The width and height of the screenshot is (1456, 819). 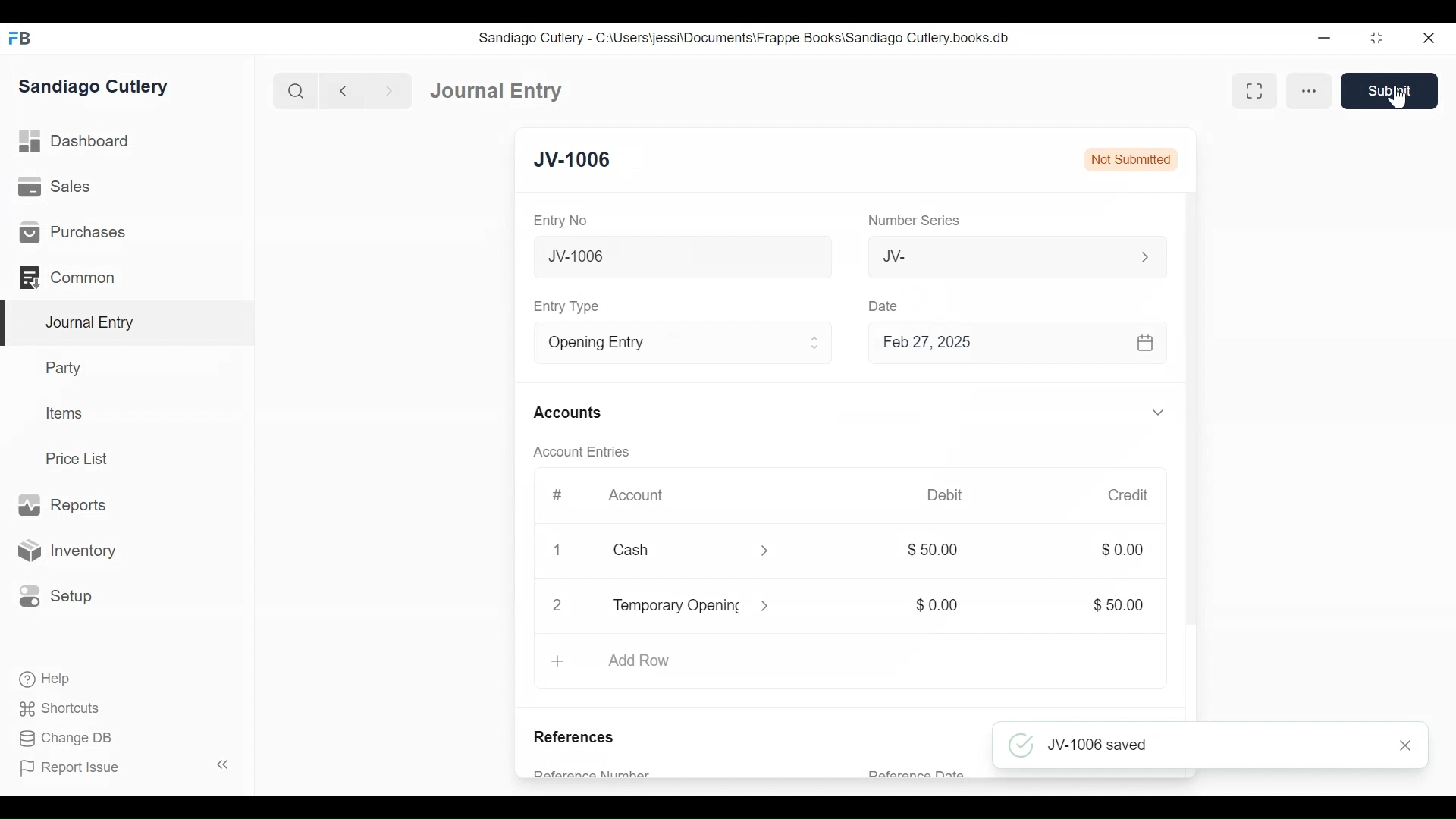 I want to click on $50.00, so click(x=1122, y=605).